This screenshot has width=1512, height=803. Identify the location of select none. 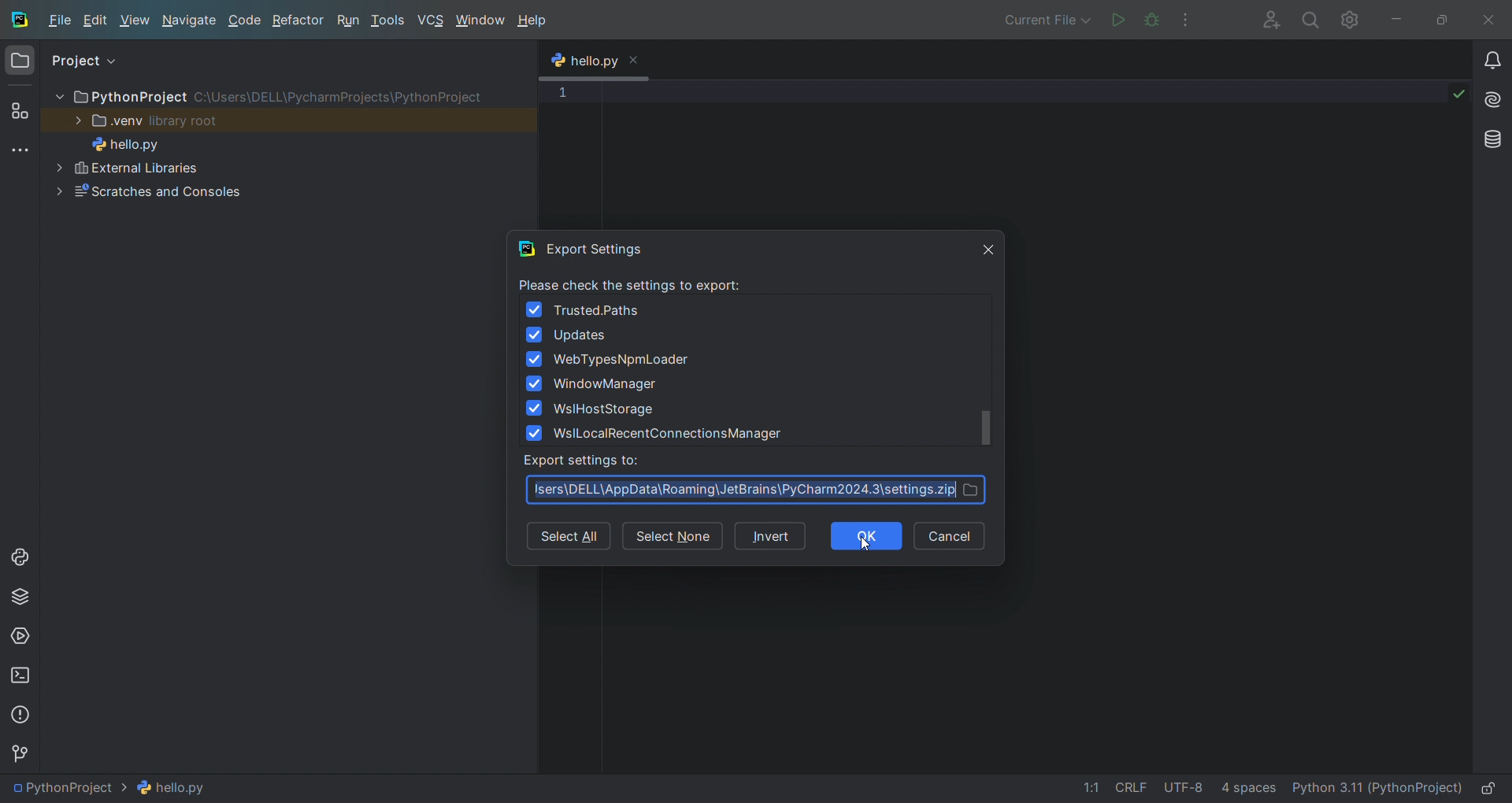
(673, 538).